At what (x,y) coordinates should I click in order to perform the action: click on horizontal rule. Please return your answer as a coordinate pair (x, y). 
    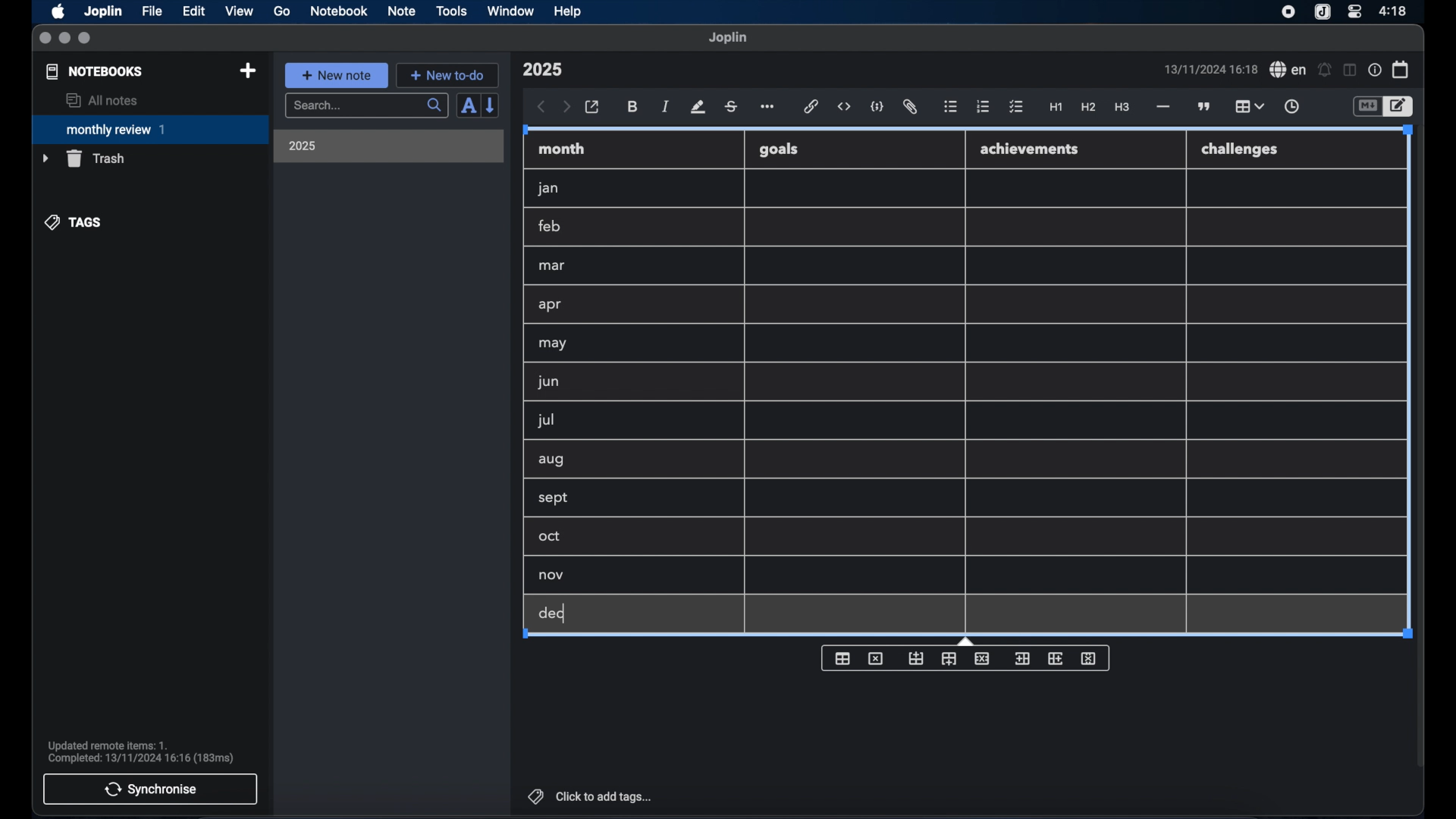
    Looking at the image, I should click on (1162, 107).